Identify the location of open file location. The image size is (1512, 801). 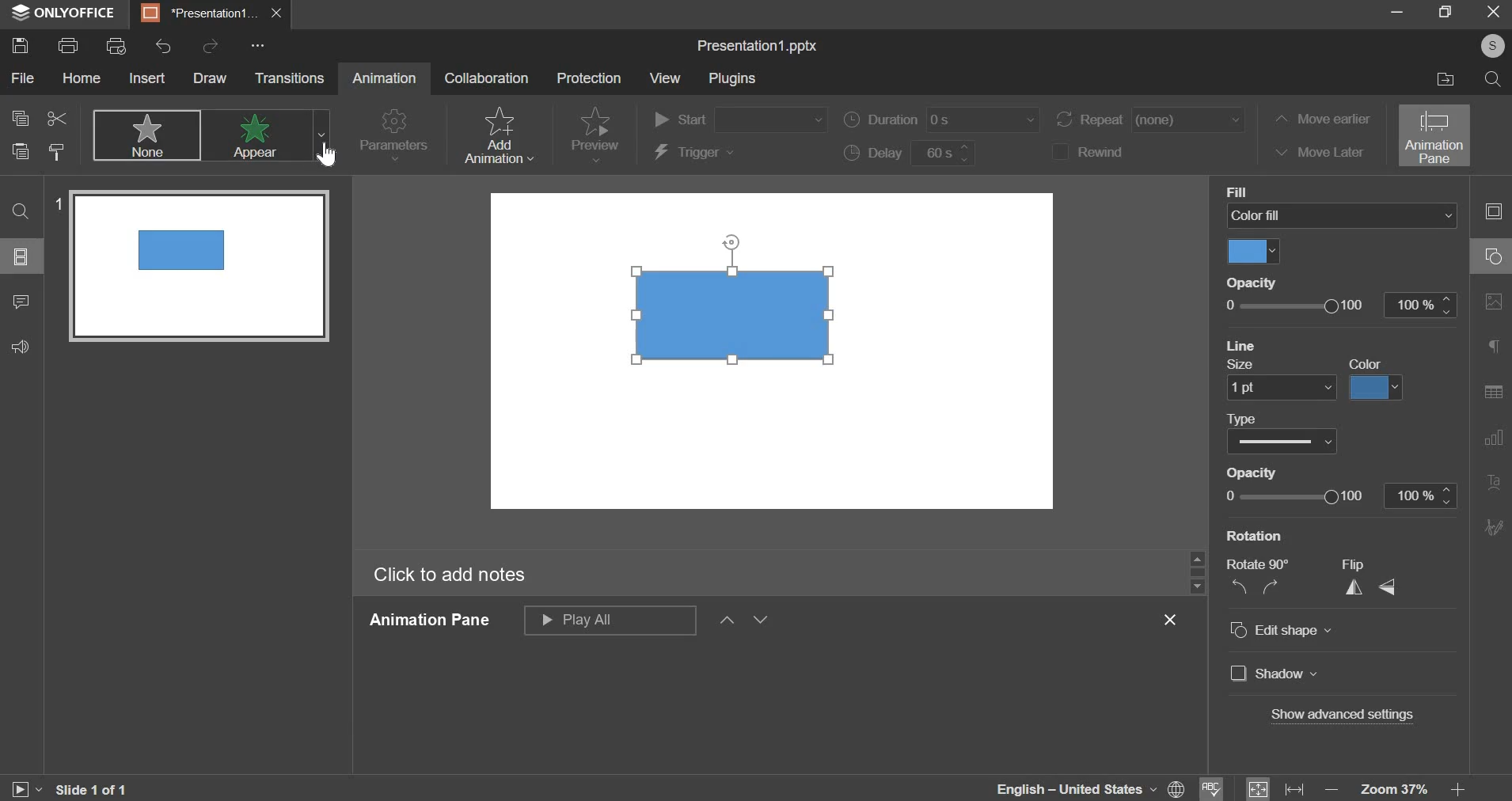
(1441, 82).